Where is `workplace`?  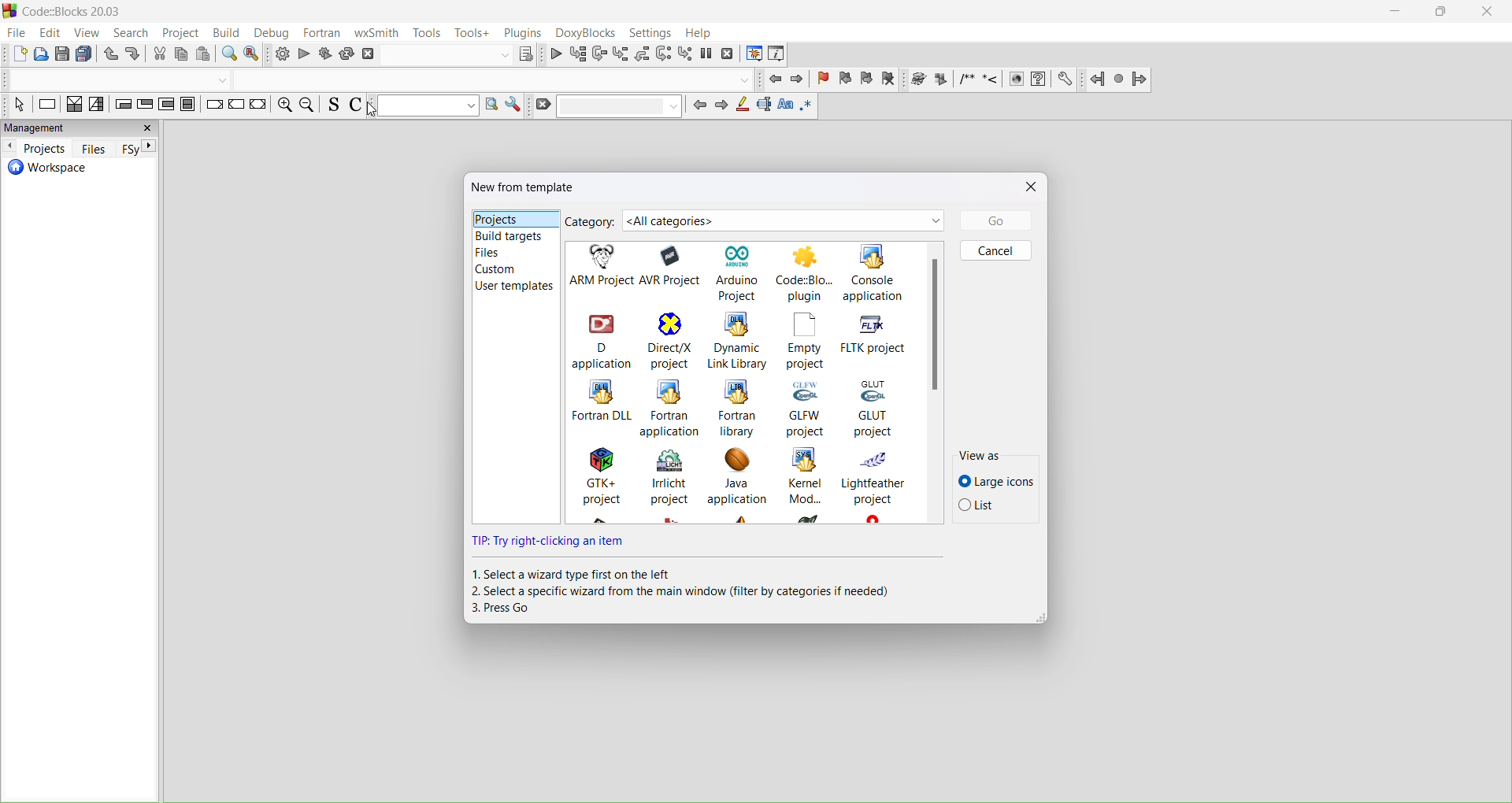
workplace is located at coordinates (77, 175).